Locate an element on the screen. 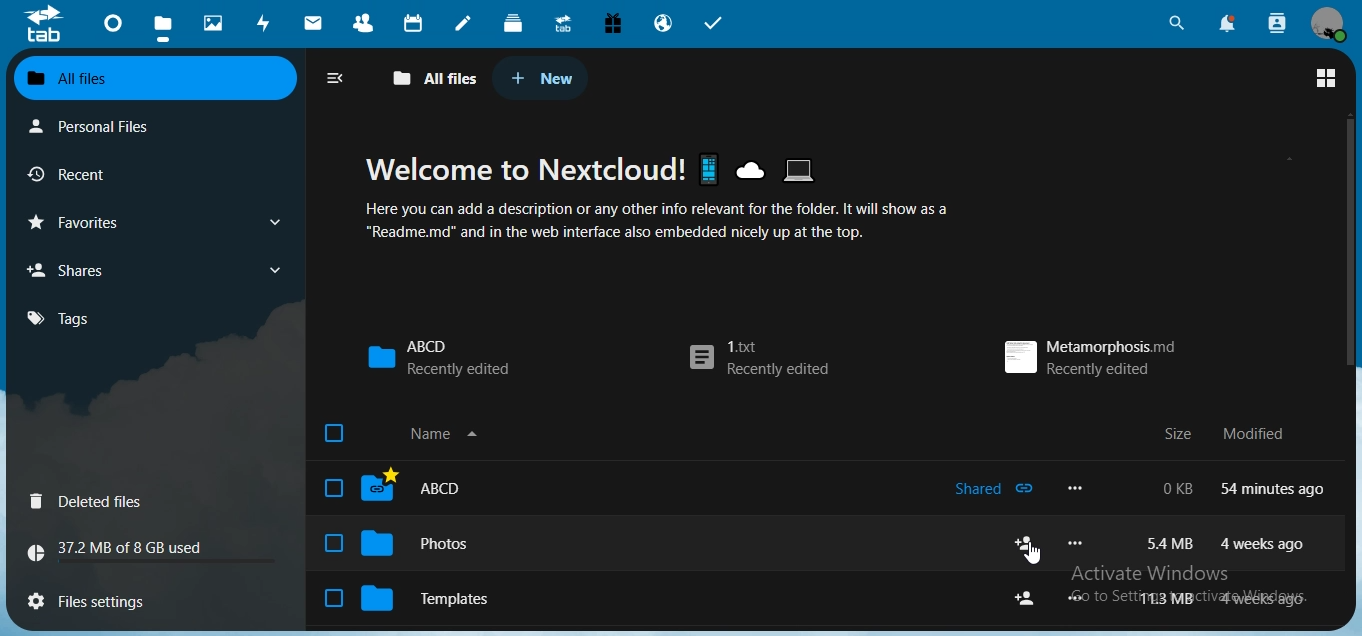  ABCD is located at coordinates (438, 356).